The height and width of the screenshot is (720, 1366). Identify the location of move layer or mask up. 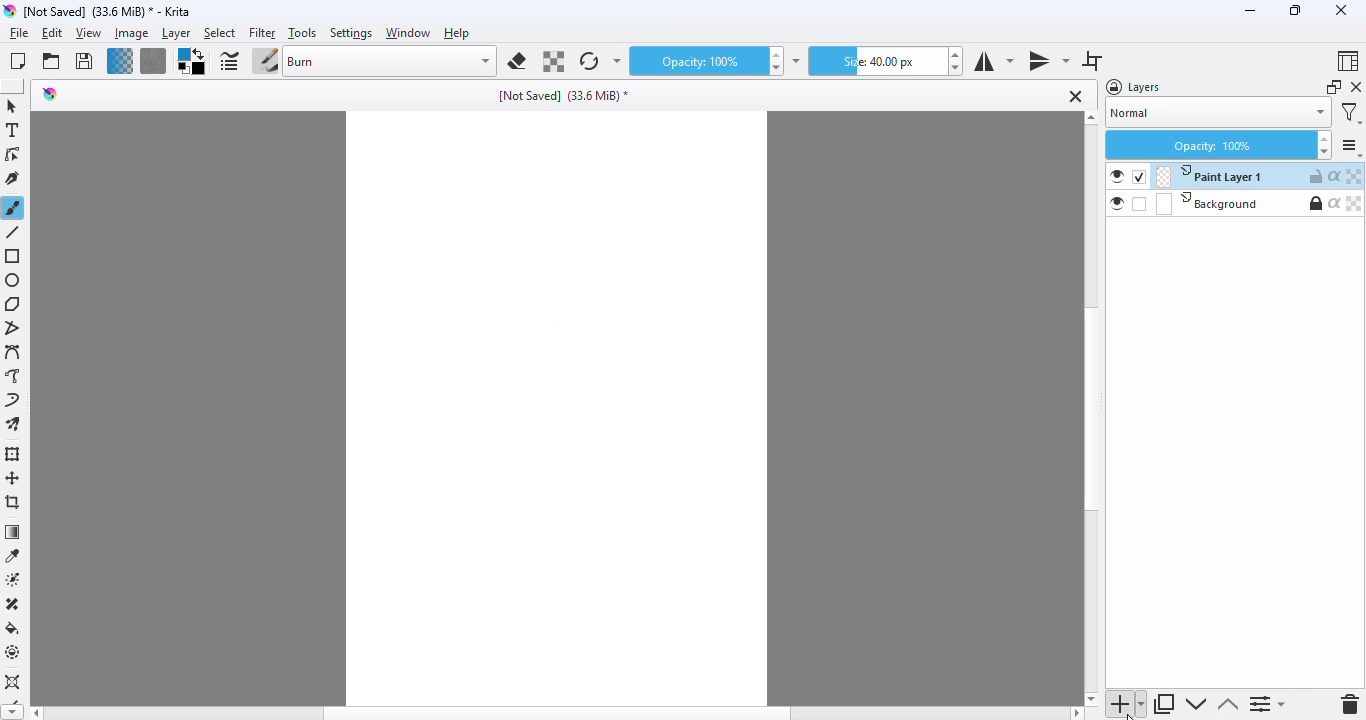
(1228, 705).